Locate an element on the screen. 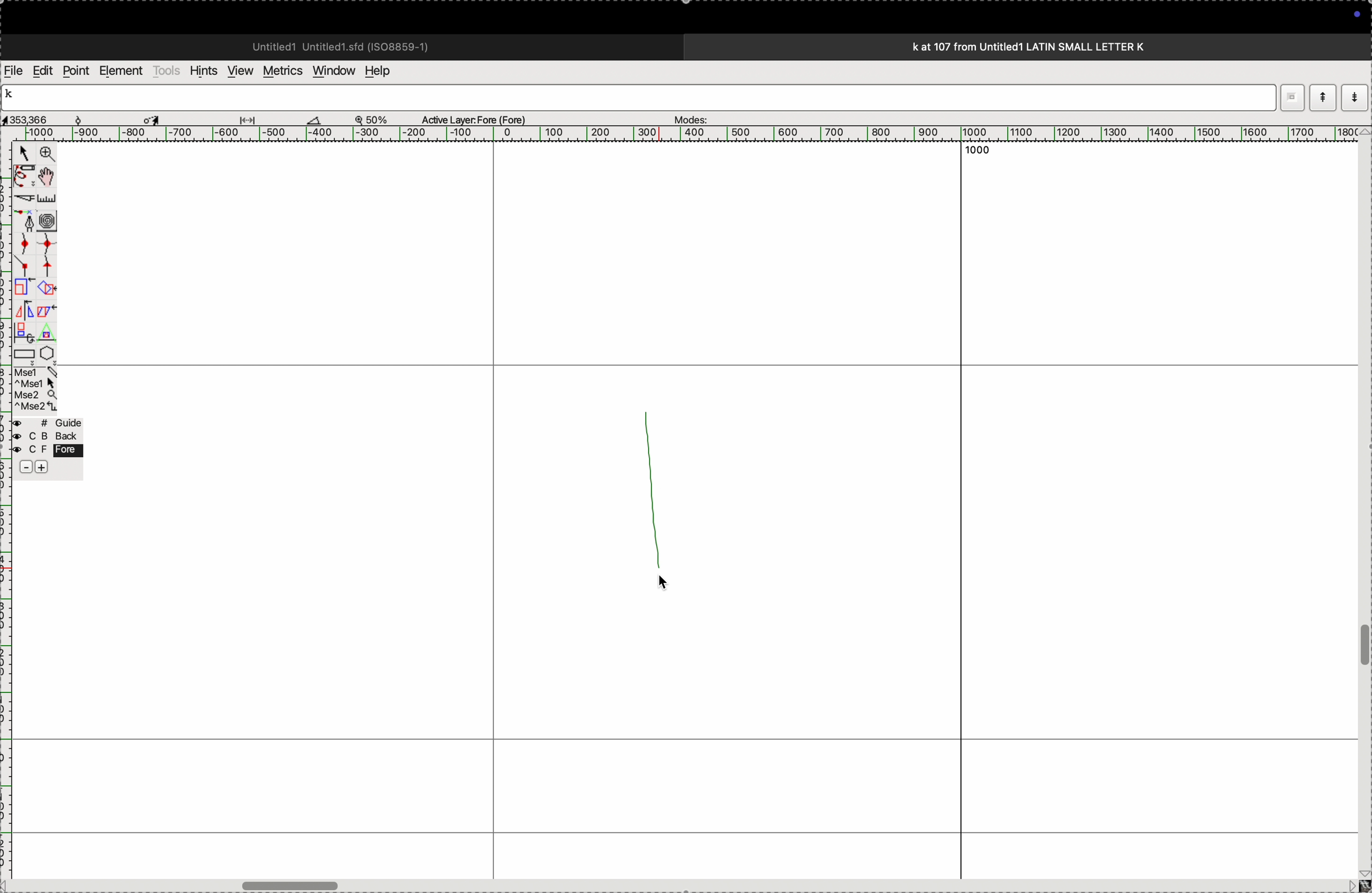  cursor is located at coordinates (670, 583).